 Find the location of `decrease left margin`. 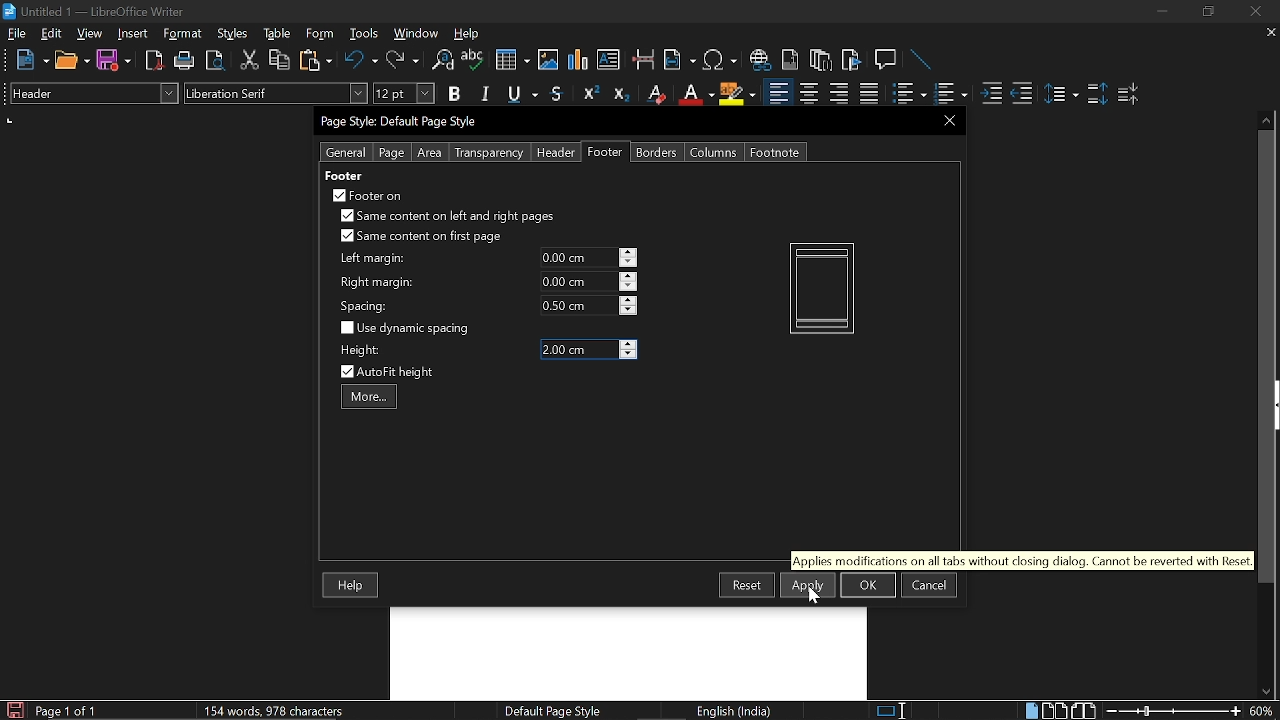

decrease left margin is located at coordinates (629, 263).